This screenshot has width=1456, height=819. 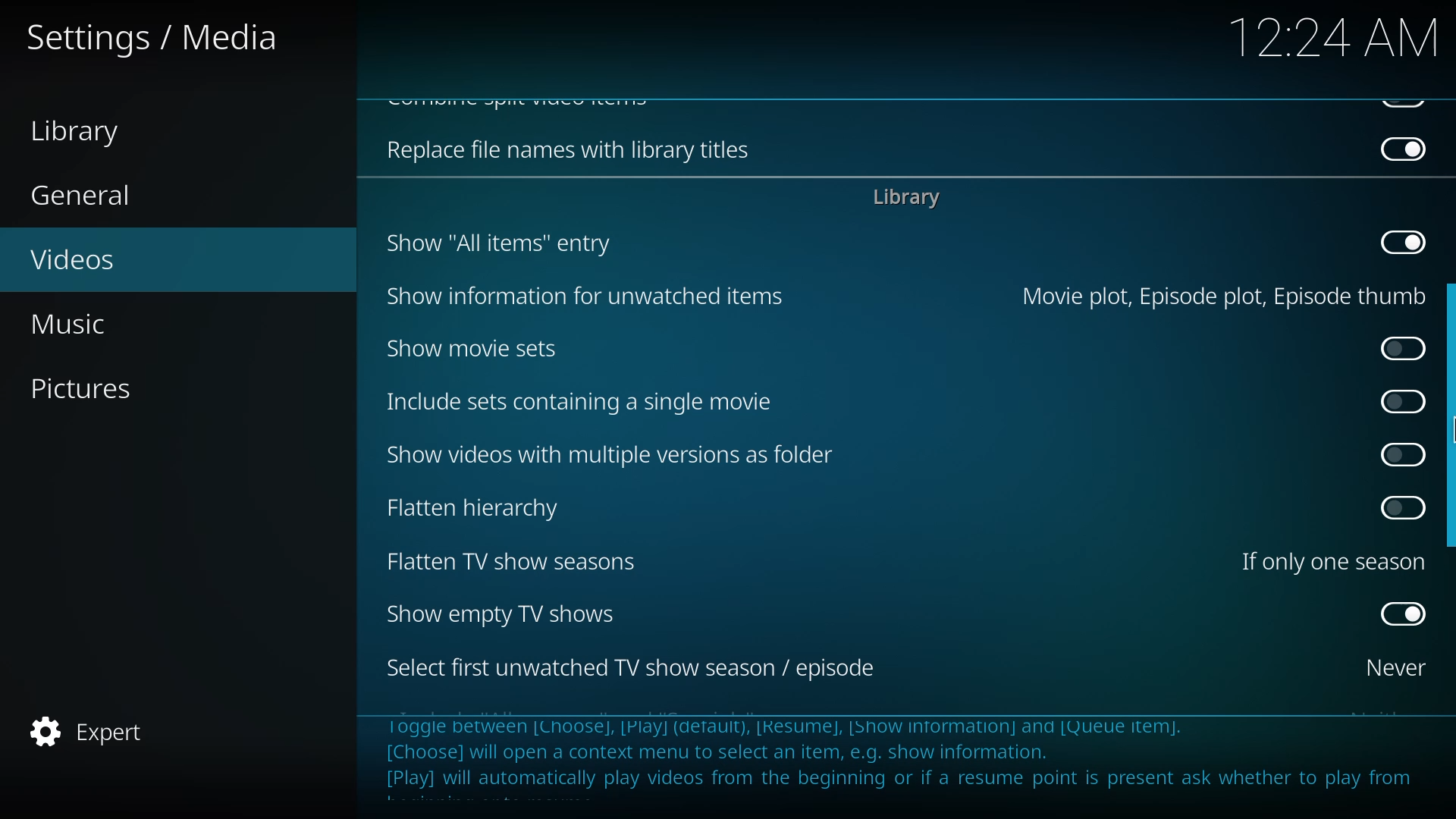 What do you see at coordinates (74, 260) in the screenshot?
I see `videos` at bounding box center [74, 260].